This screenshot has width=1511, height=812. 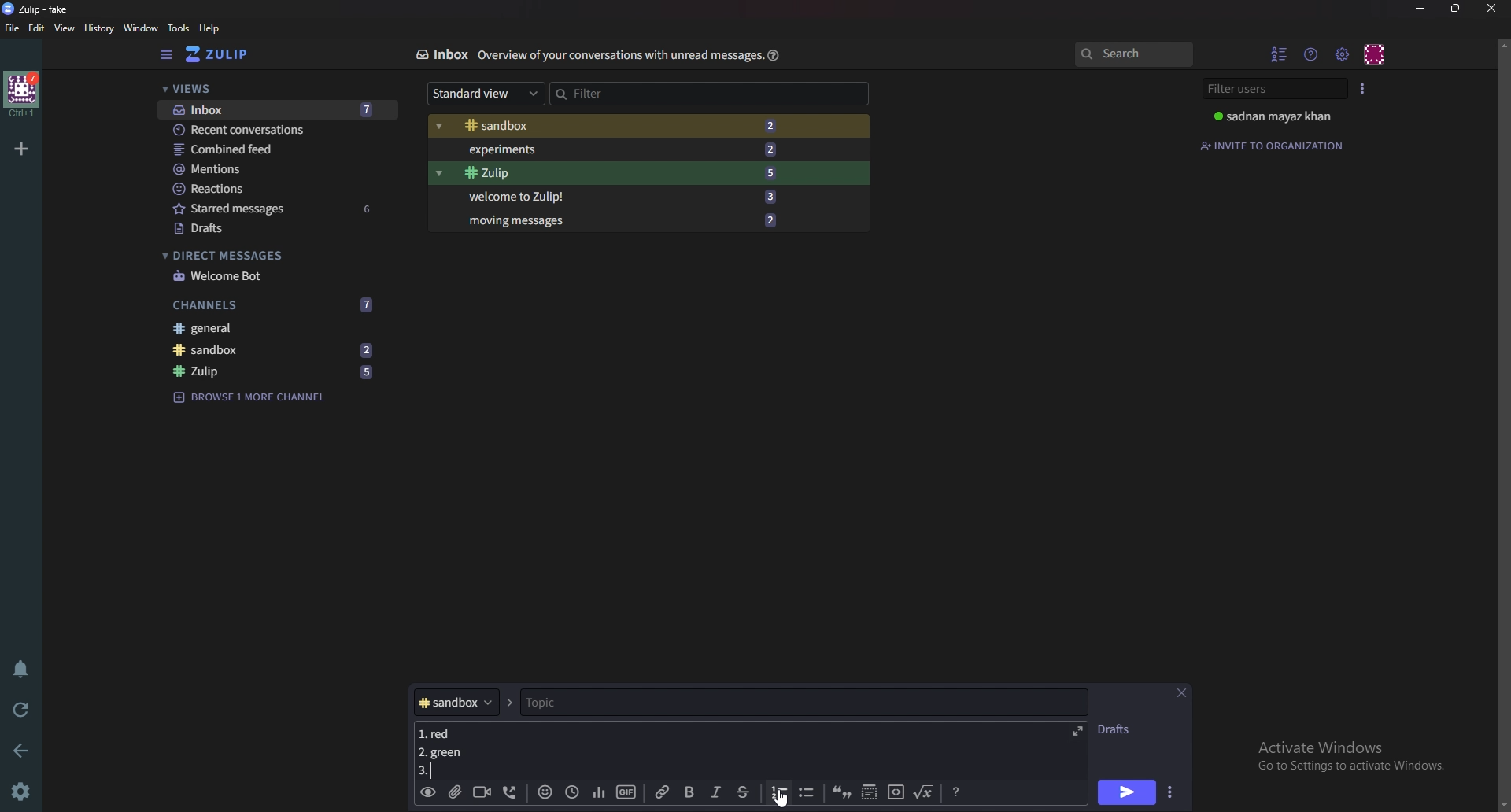 What do you see at coordinates (622, 126) in the screenshot?
I see `Sandbox` at bounding box center [622, 126].